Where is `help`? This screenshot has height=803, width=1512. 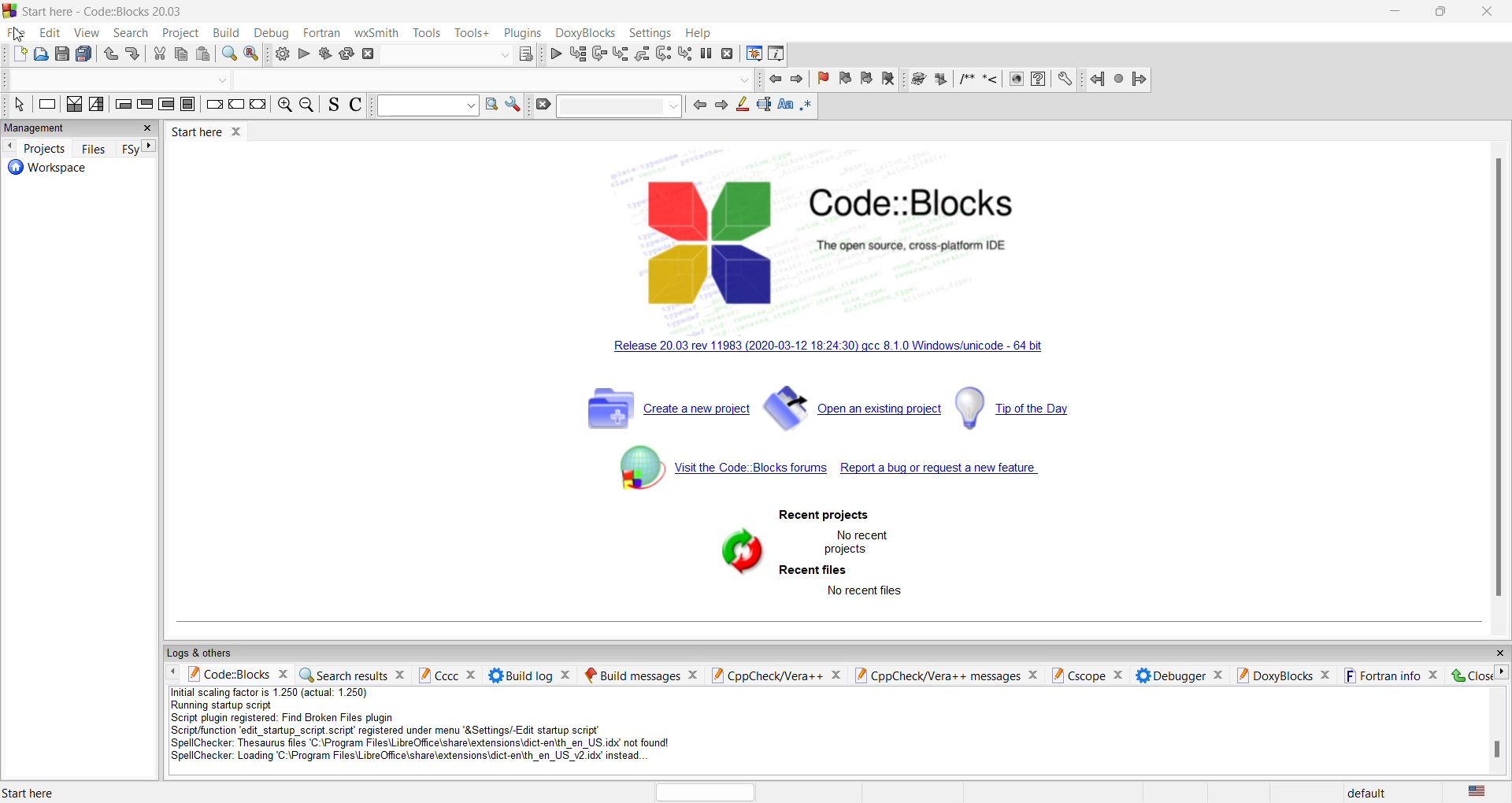 help is located at coordinates (702, 33).